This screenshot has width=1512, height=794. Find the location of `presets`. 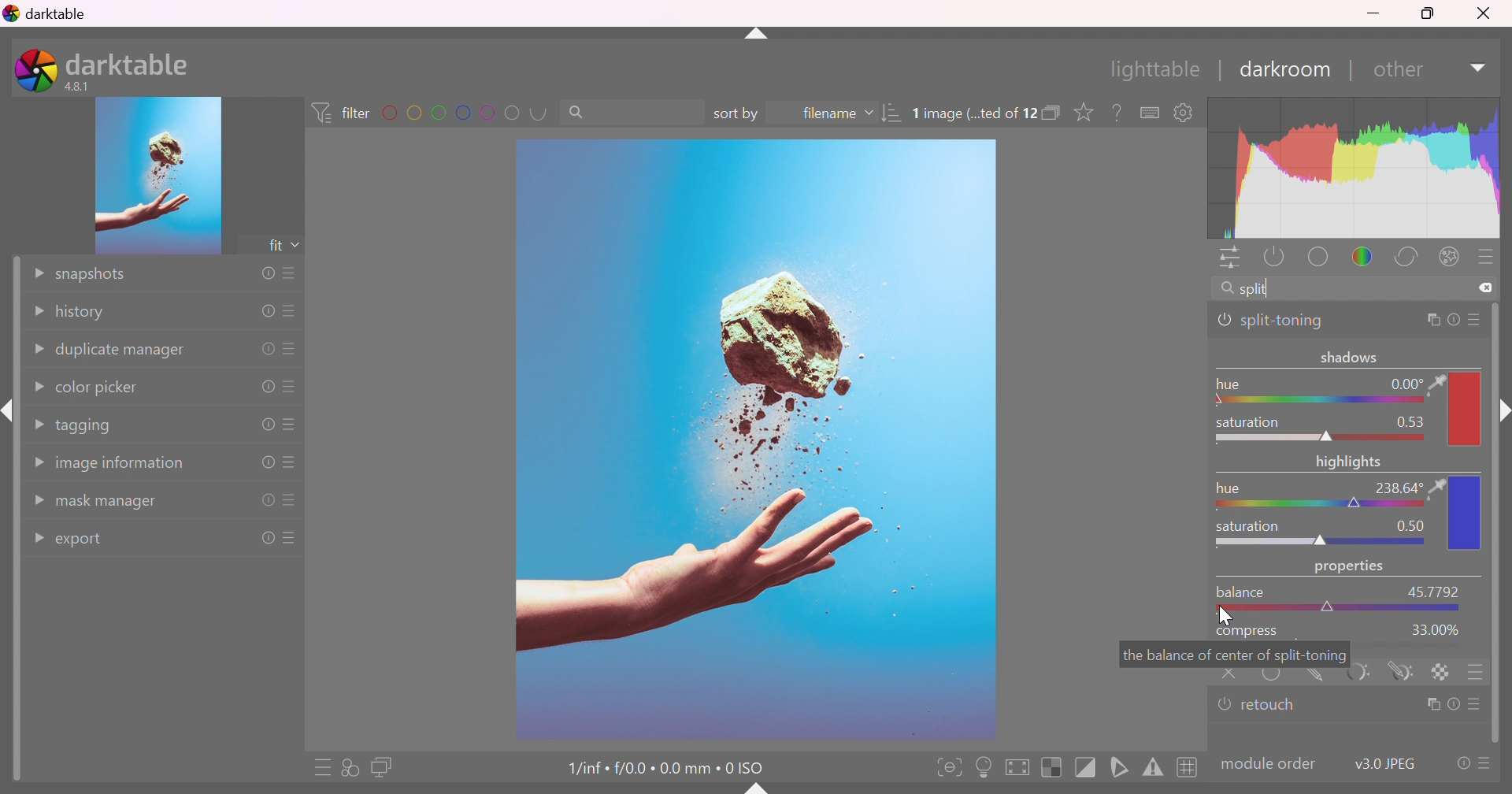

presets is located at coordinates (291, 501).